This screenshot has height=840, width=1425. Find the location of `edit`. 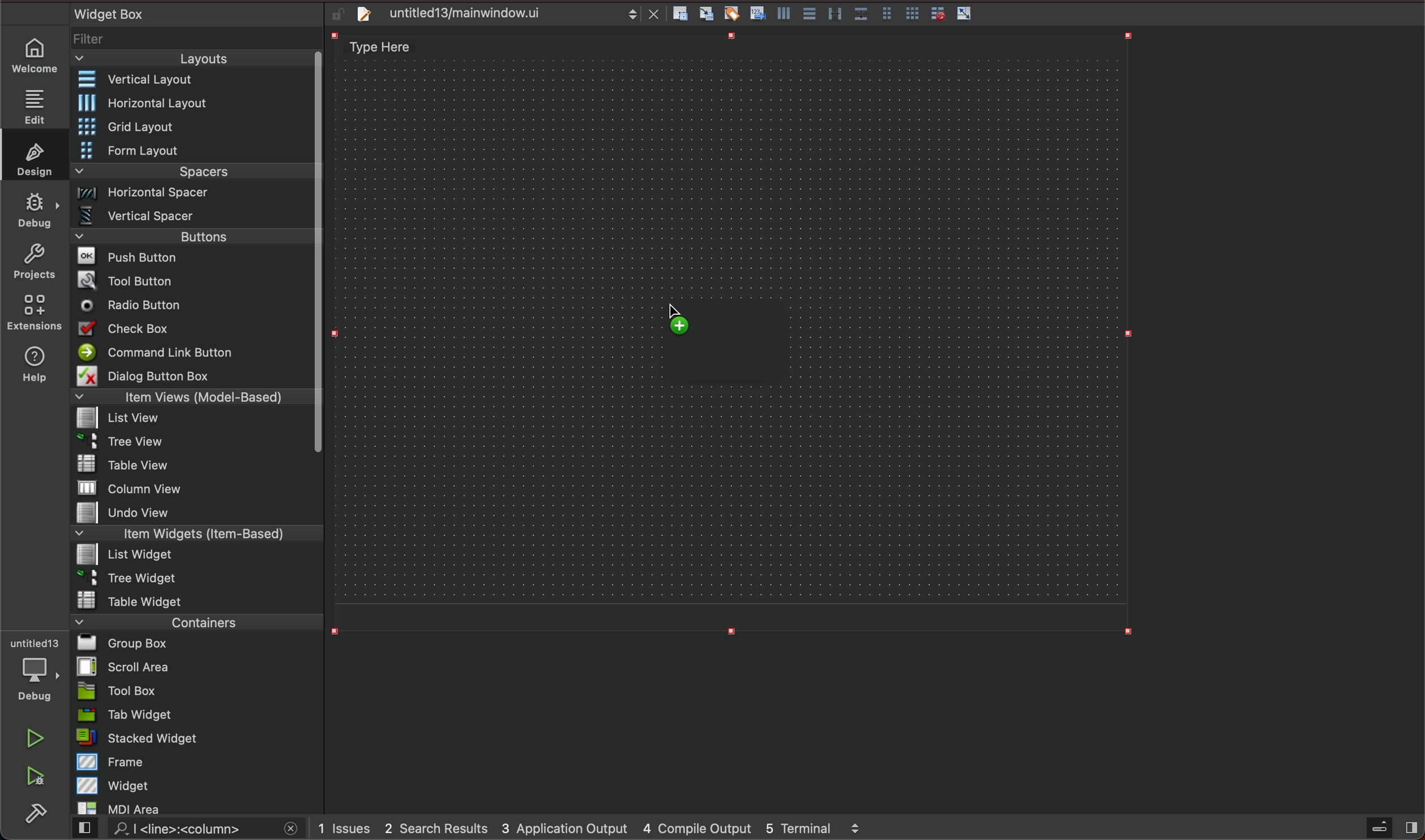

edit is located at coordinates (733, 12).